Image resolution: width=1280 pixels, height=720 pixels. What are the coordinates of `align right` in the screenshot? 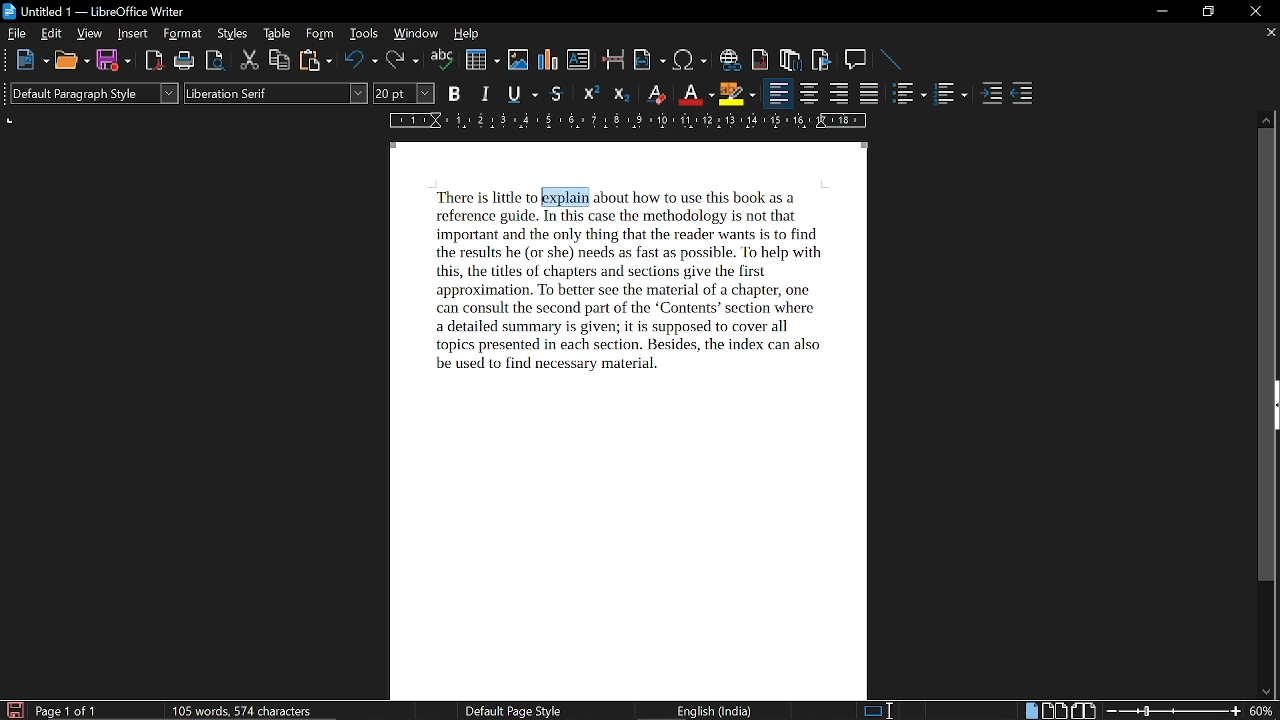 It's located at (841, 94).